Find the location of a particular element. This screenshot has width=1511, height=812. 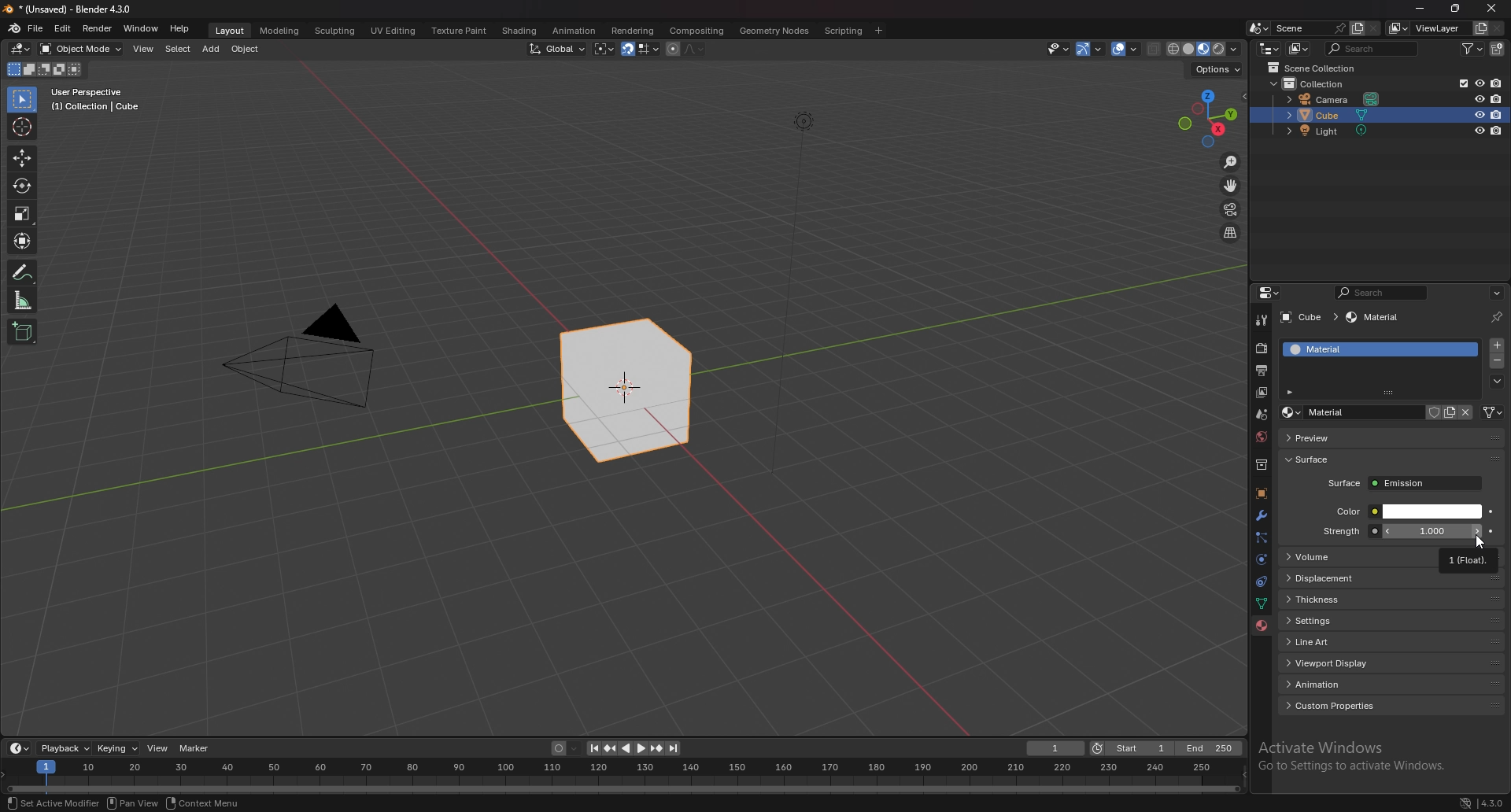

add material is located at coordinates (1498, 345).